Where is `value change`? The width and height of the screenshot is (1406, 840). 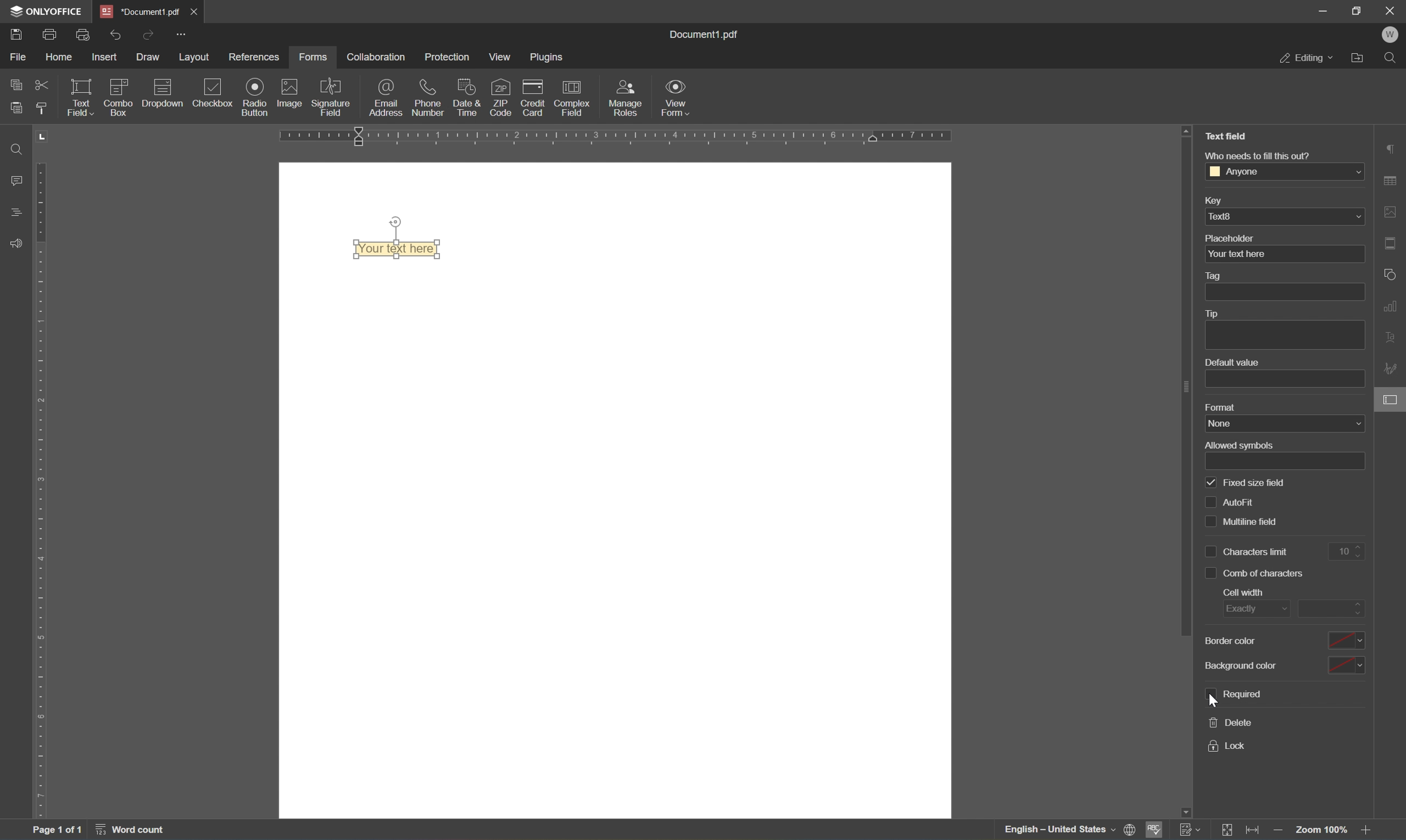 value change is located at coordinates (1336, 606).